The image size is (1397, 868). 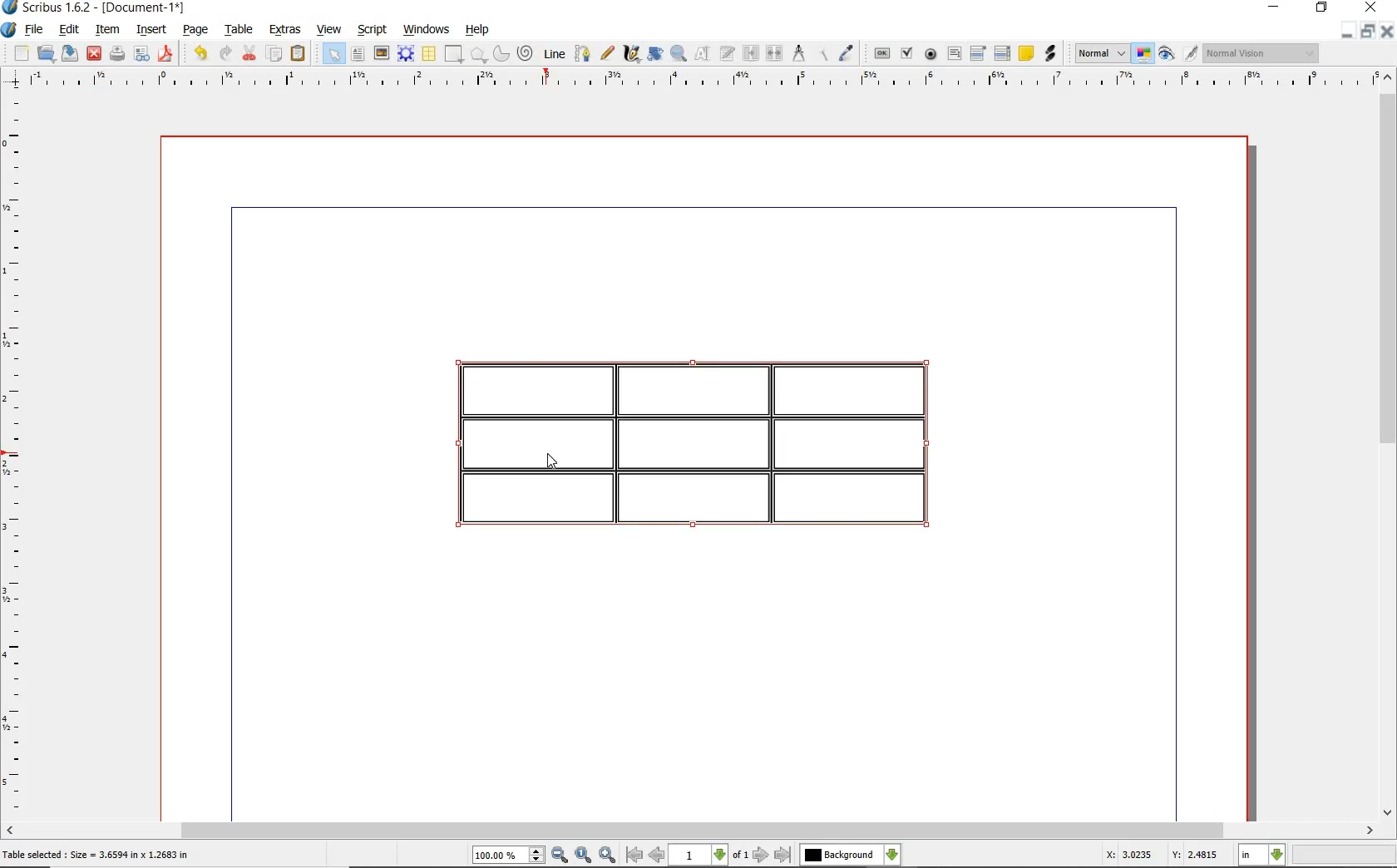 What do you see at coordinates (95, 53) in the screenshot?
I see `close` at bounding box center [95, 53].